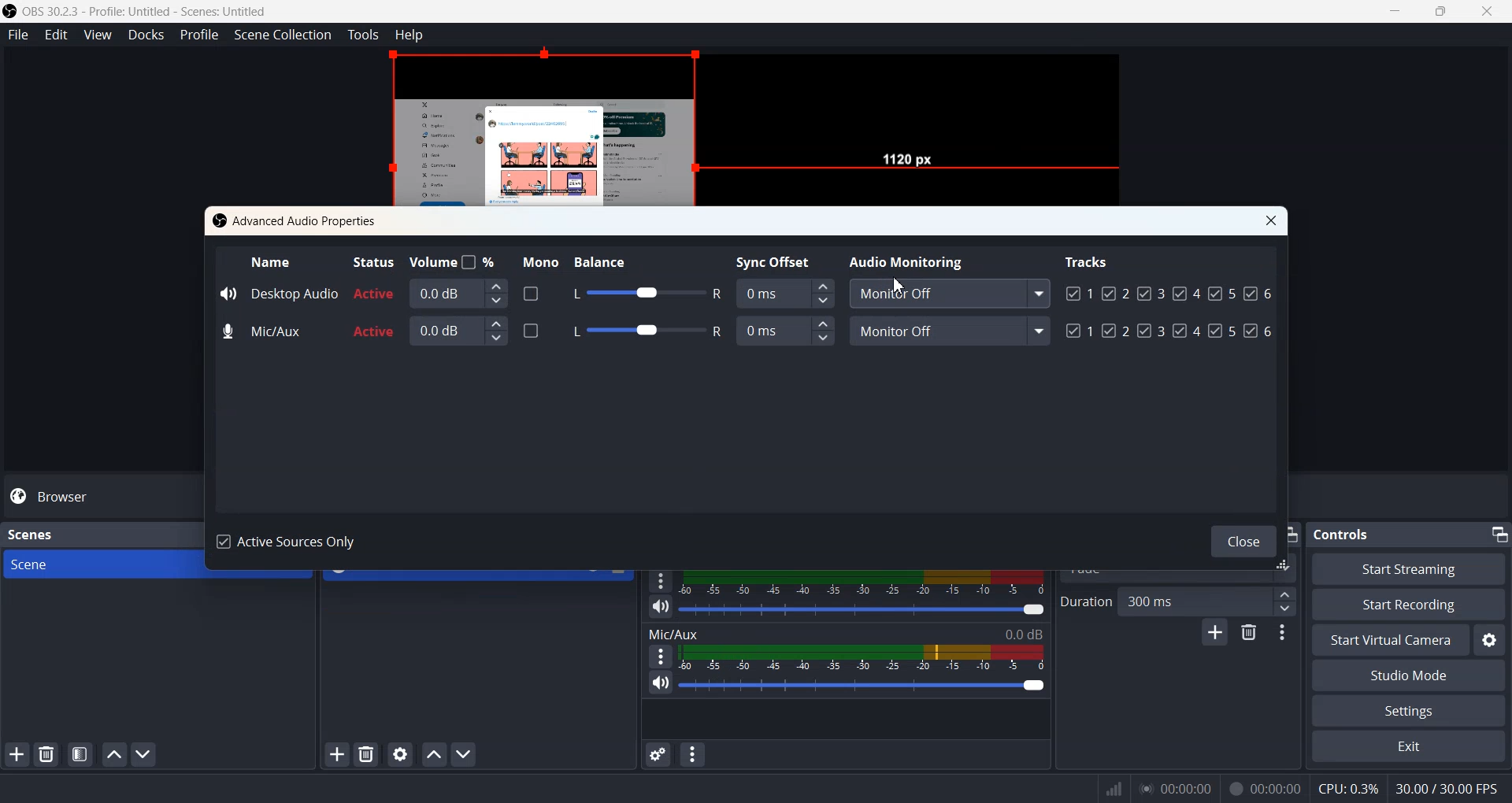  I want to click on Advance audio properties, so click(656, 754).